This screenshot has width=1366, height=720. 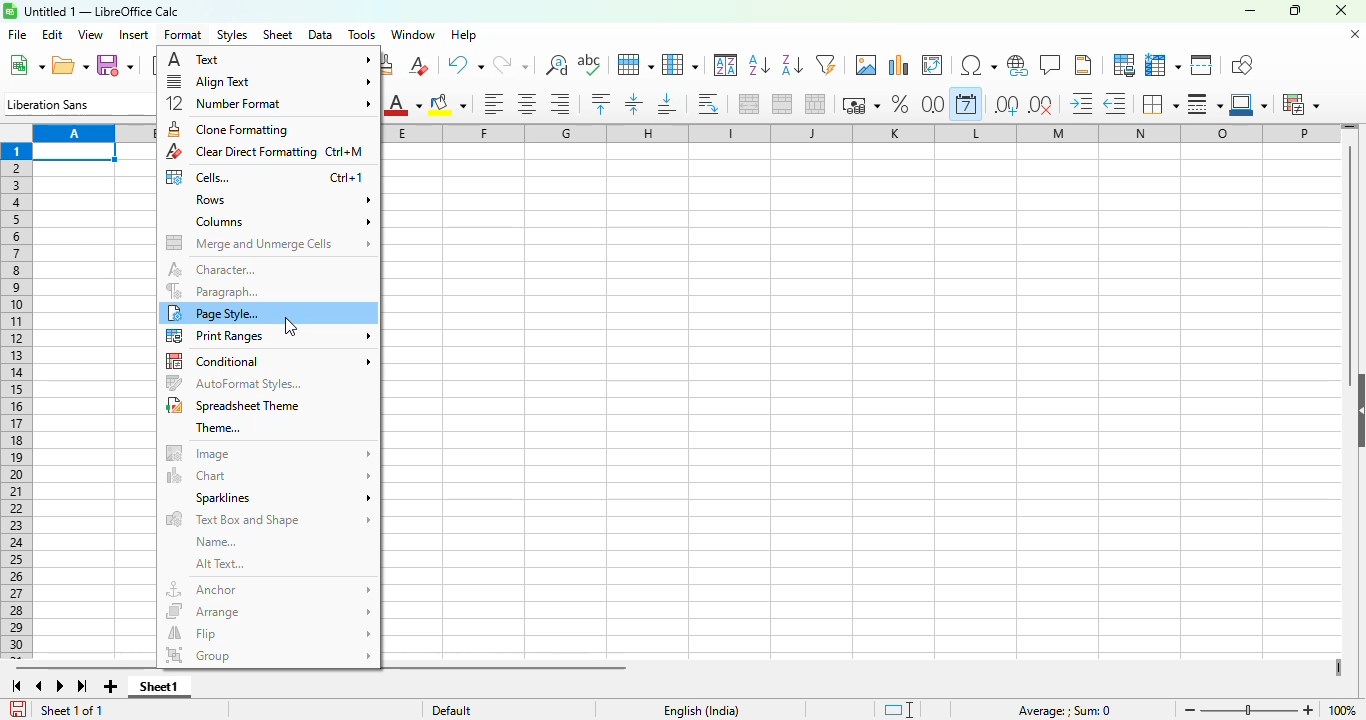 What do you see at coordinates (560, 104) in the screenshot?
I see `align right` at bounding box center [560, 104].